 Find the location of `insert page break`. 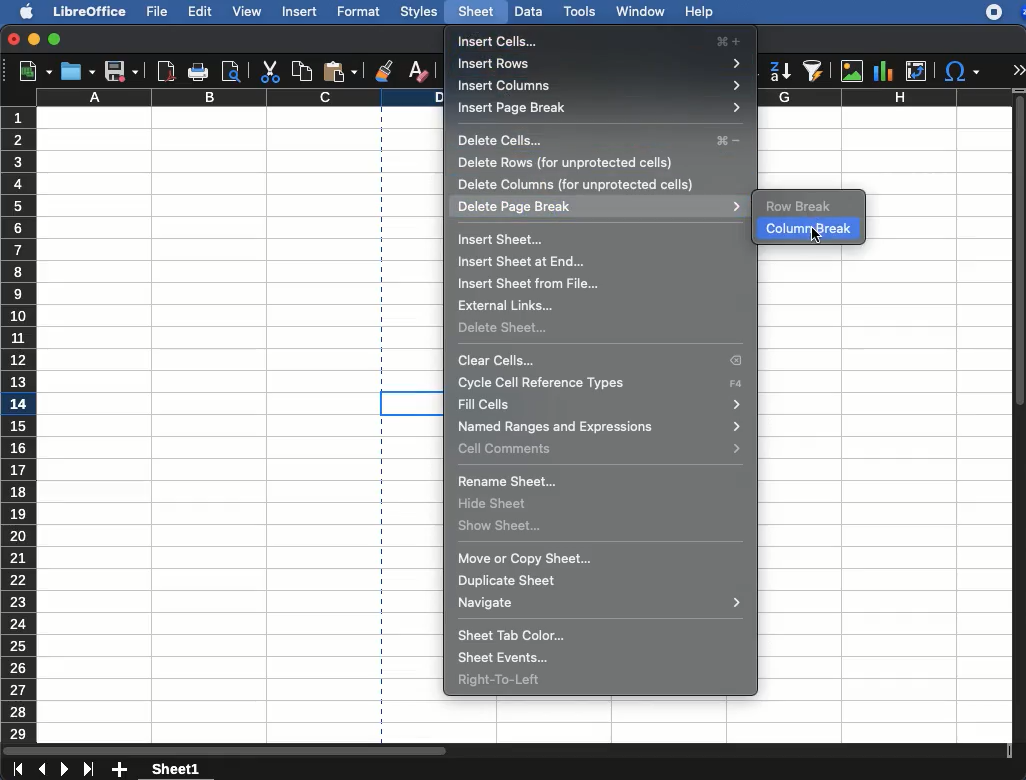

insert page break is located at coordinates (600, 109).